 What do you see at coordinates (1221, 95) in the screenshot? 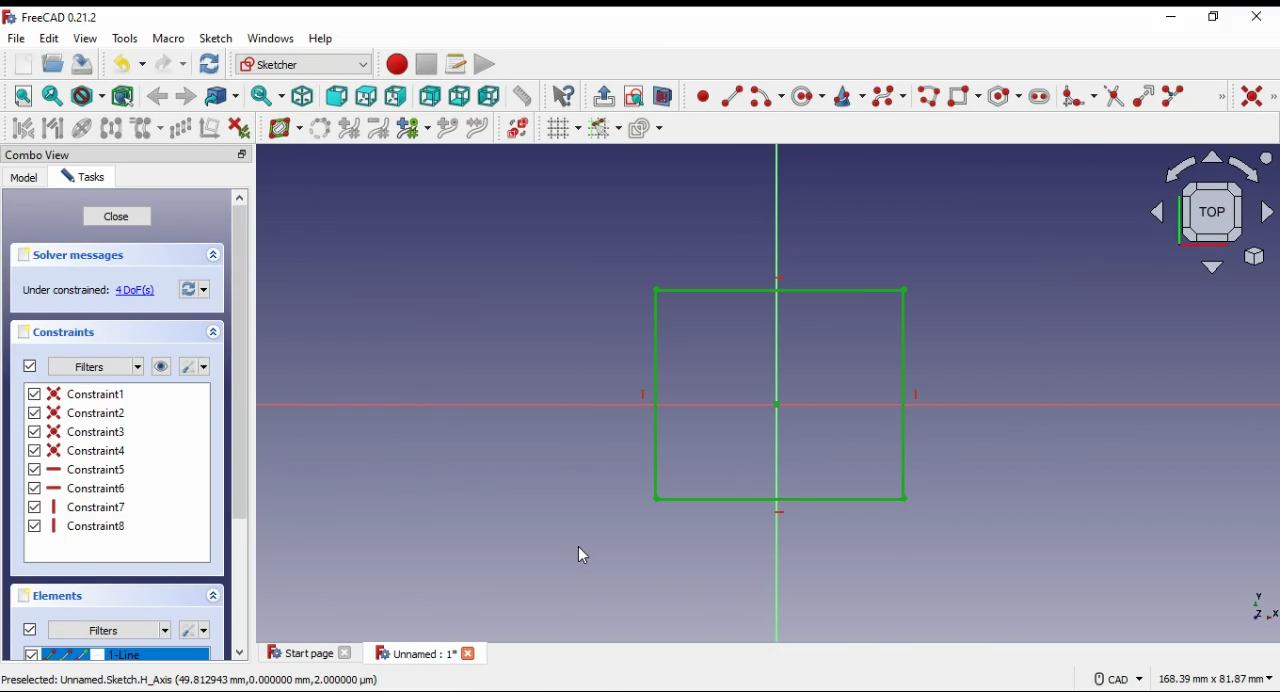
I see `sketcher geometries` at bounding box center [1221, 95].